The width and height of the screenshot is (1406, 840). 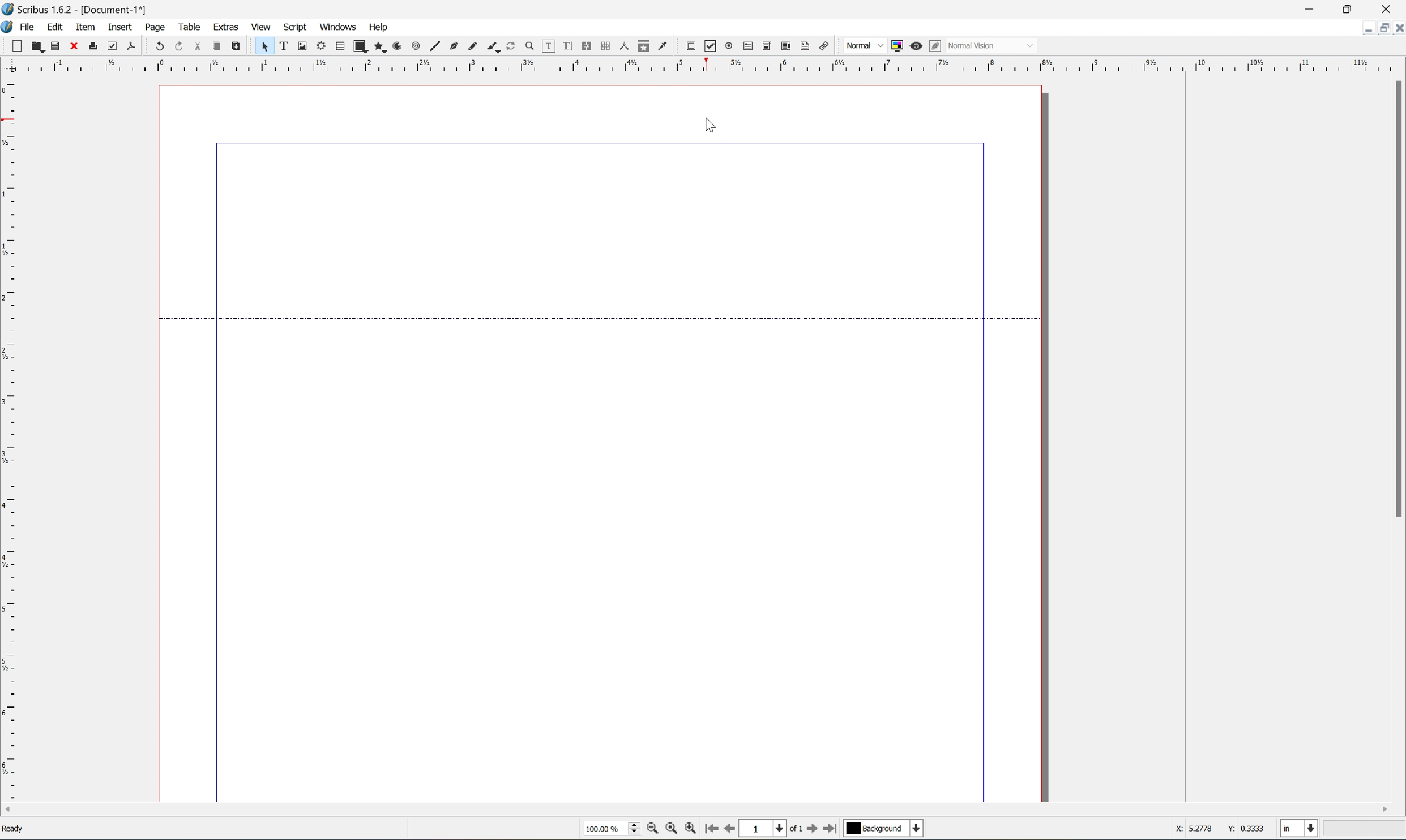 What do you see at coordinates (88, 9) in the screenshot?
I see `Scribus 1.6.2 - [Document-1]` at bounding box center [88, 9].